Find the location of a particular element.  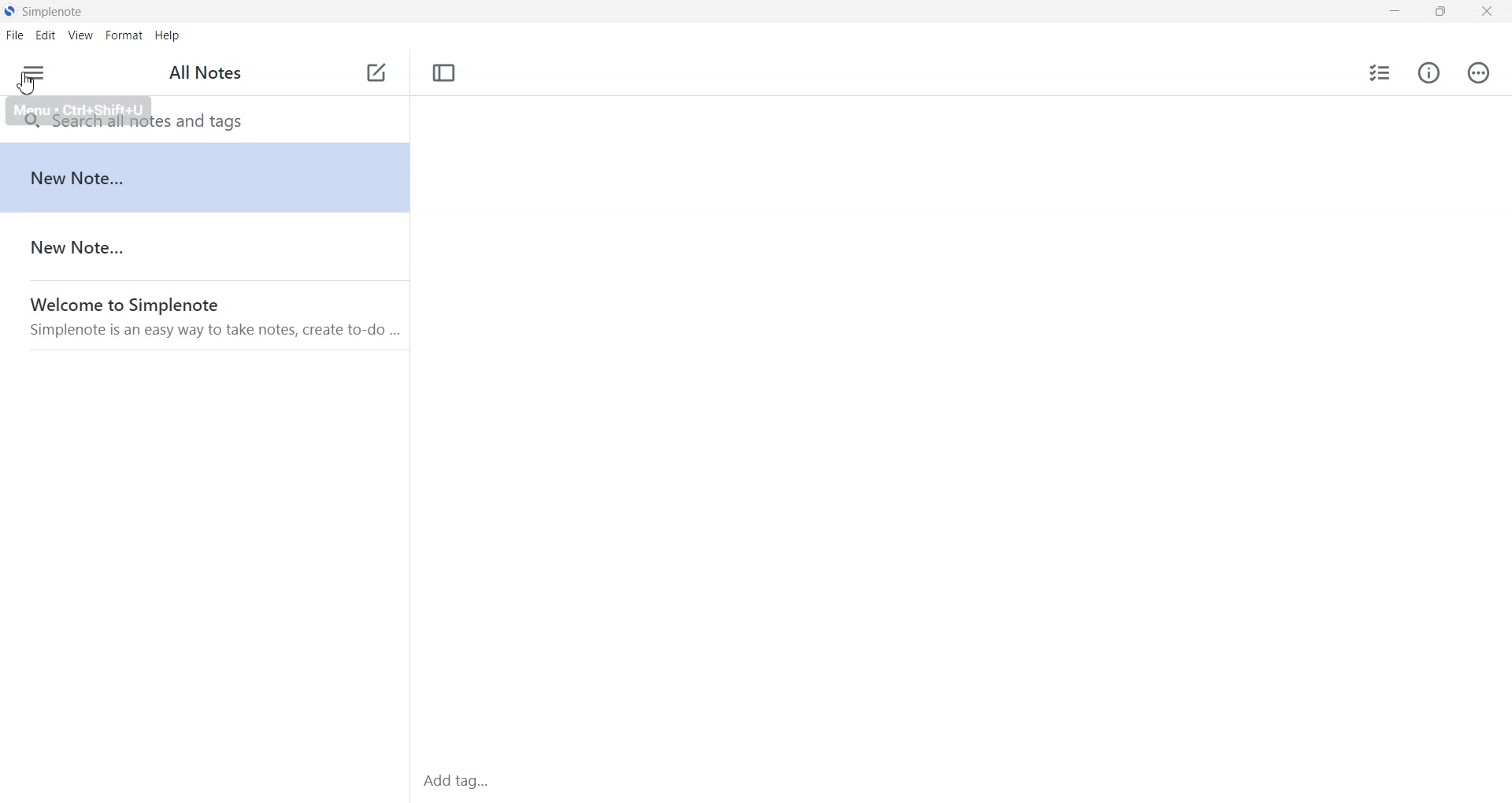

Format is located at coordinates (124, 34).